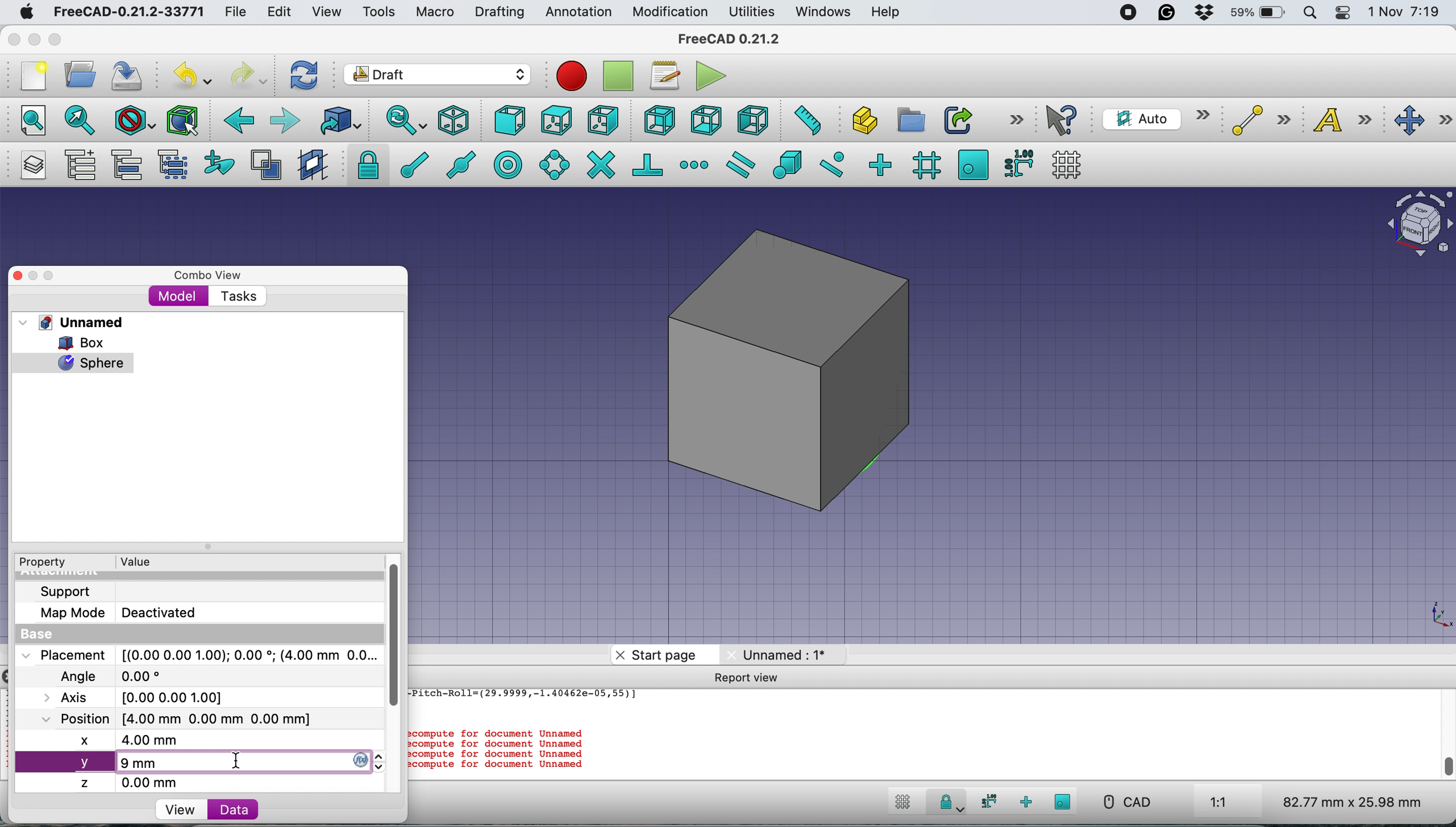 The height and width of the screenshot is (827, 1456). Describe the element at coordinates (1349, 119) in the screenshot. I see `text` at that location.